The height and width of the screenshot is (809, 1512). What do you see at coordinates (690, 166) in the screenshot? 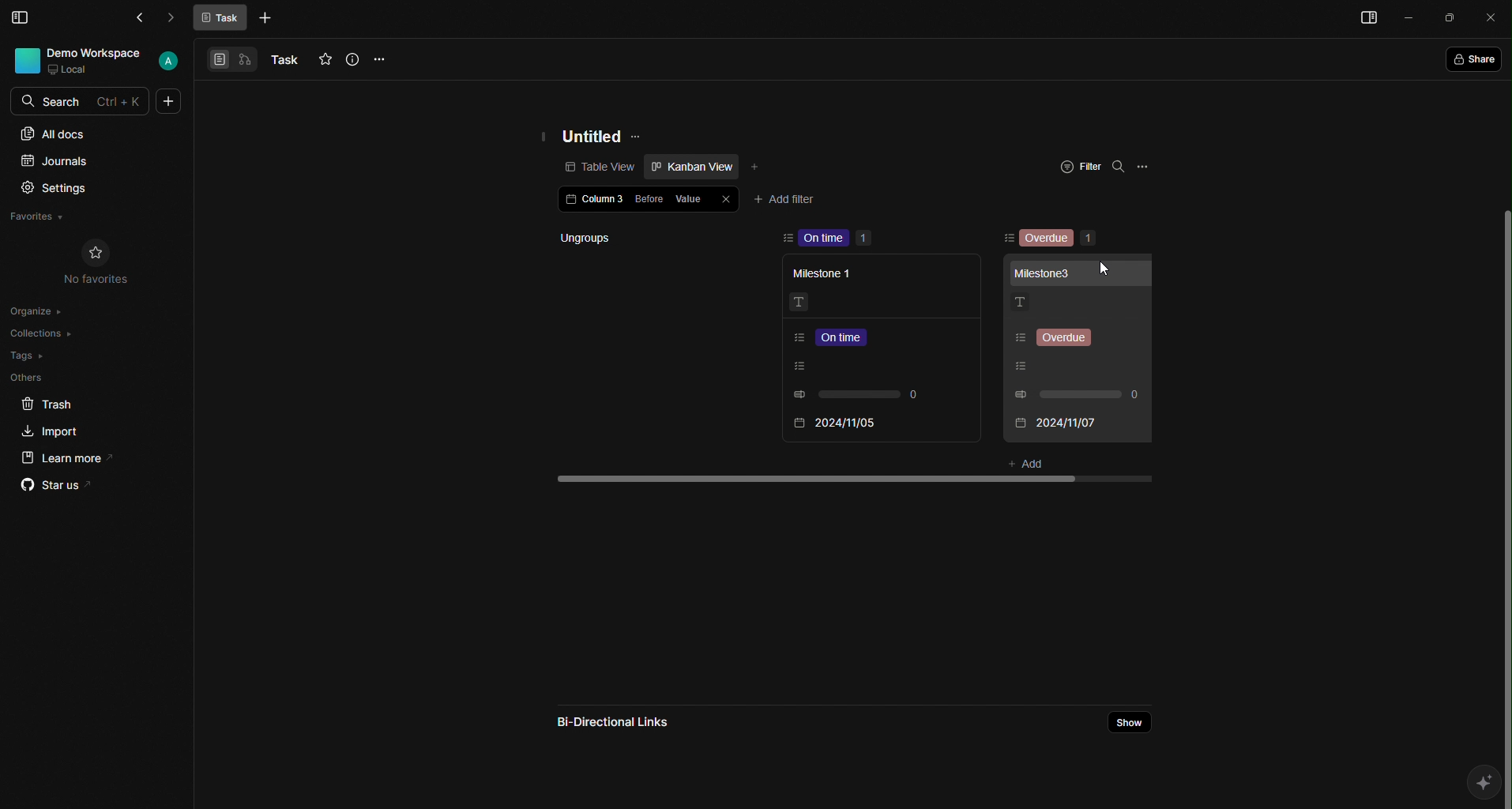
I see `Kanban view` at bounding box center [690, 166].